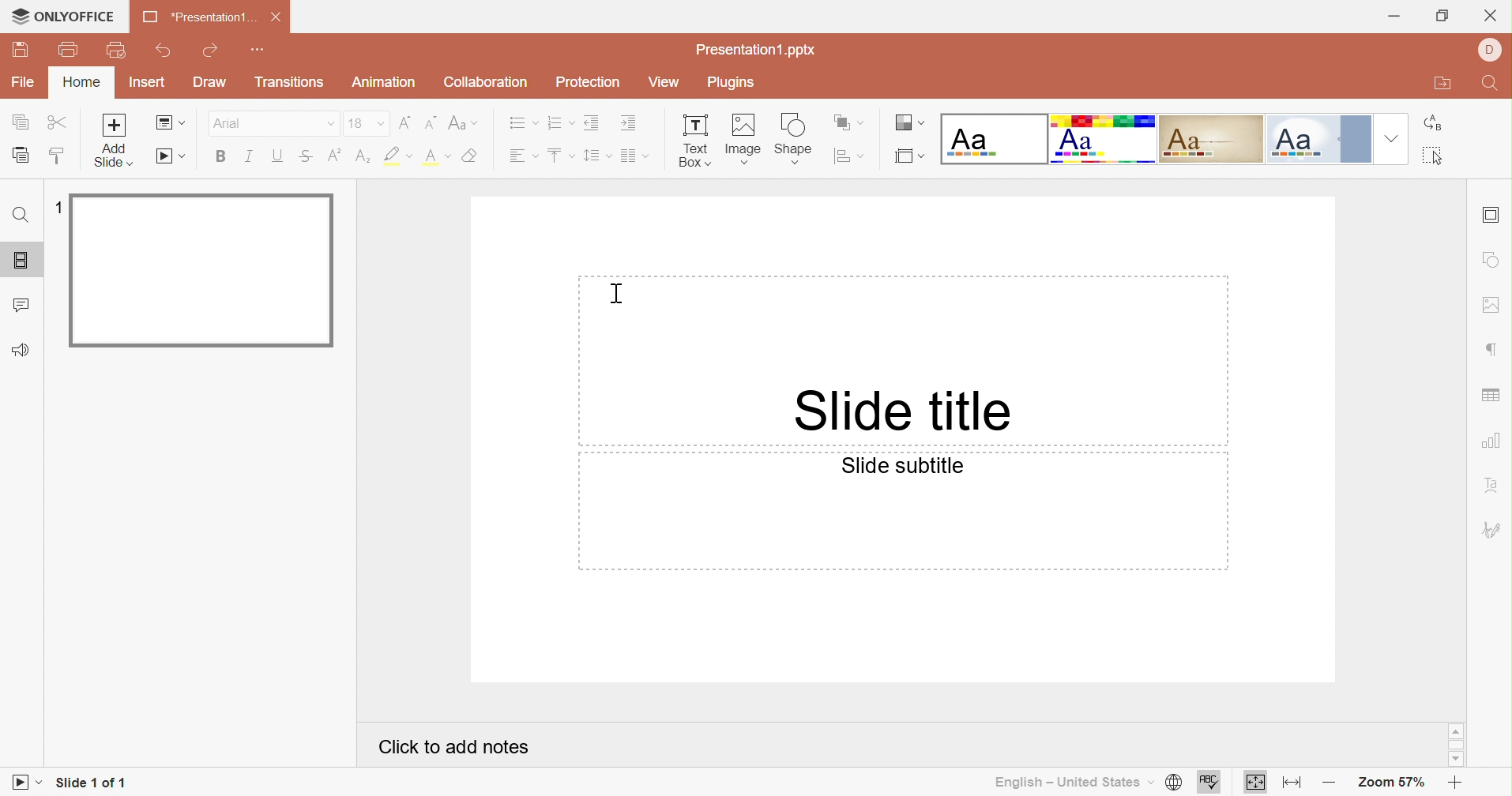 Image resolution: width=1512 pixels, height=796 pixels. I want to click on Drop Down, so click(331, 125).